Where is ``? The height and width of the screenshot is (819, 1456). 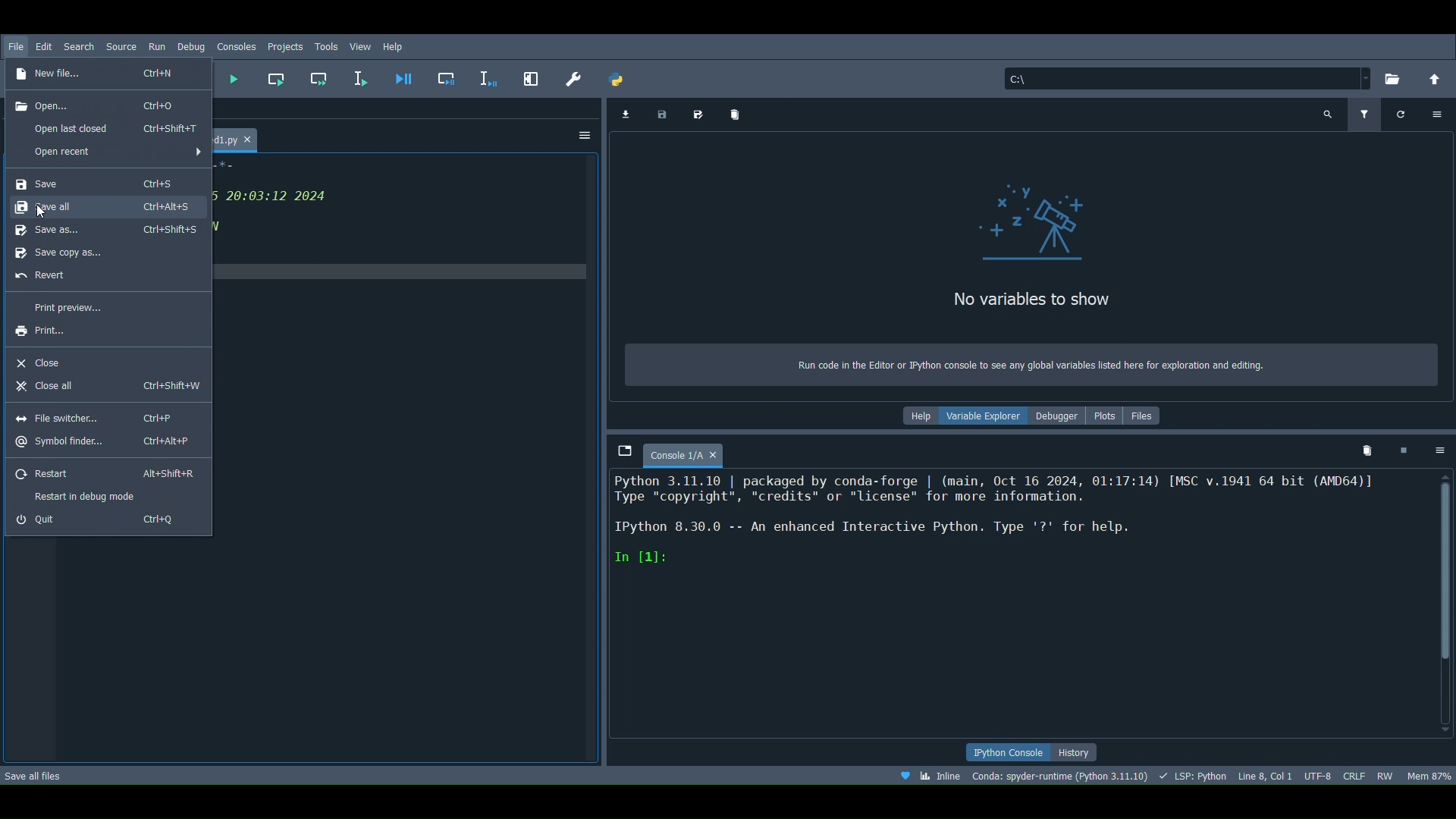
 is located at coordinates (449, 80).